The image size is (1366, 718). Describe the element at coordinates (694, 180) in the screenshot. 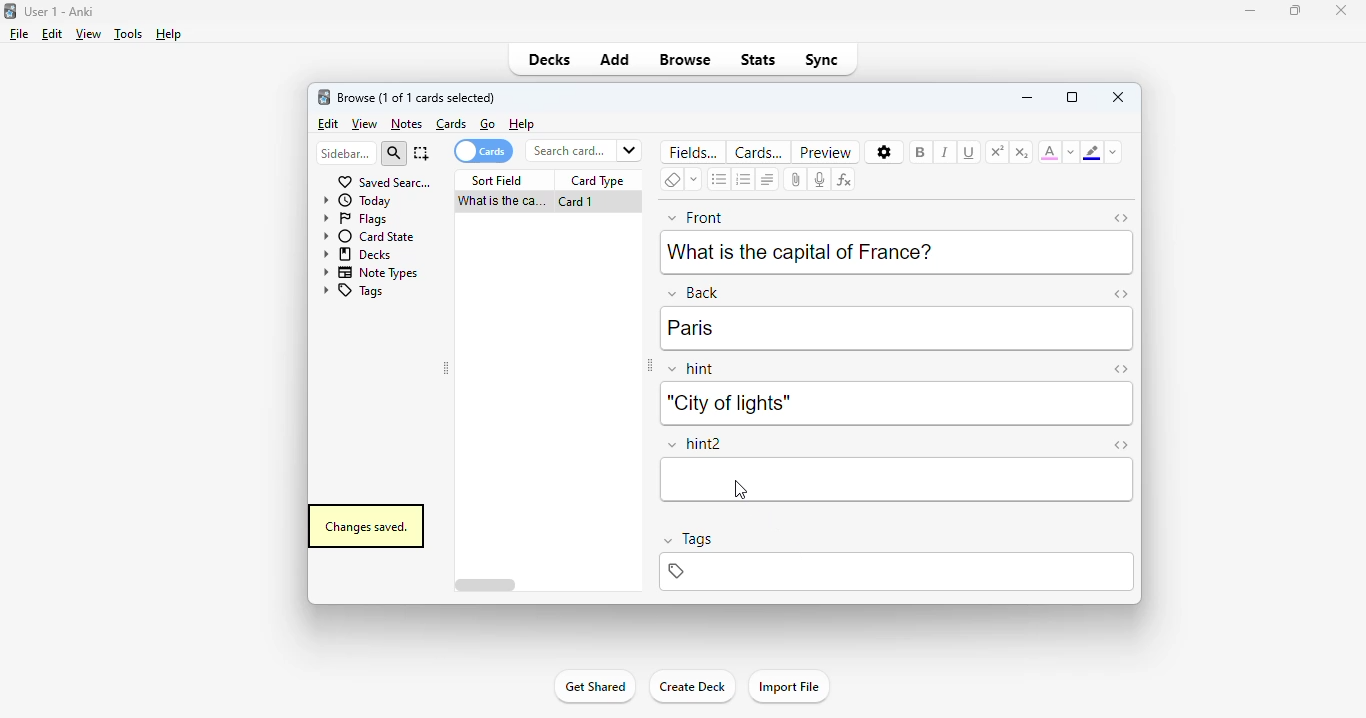

I see `select formatting to remove` at that location.